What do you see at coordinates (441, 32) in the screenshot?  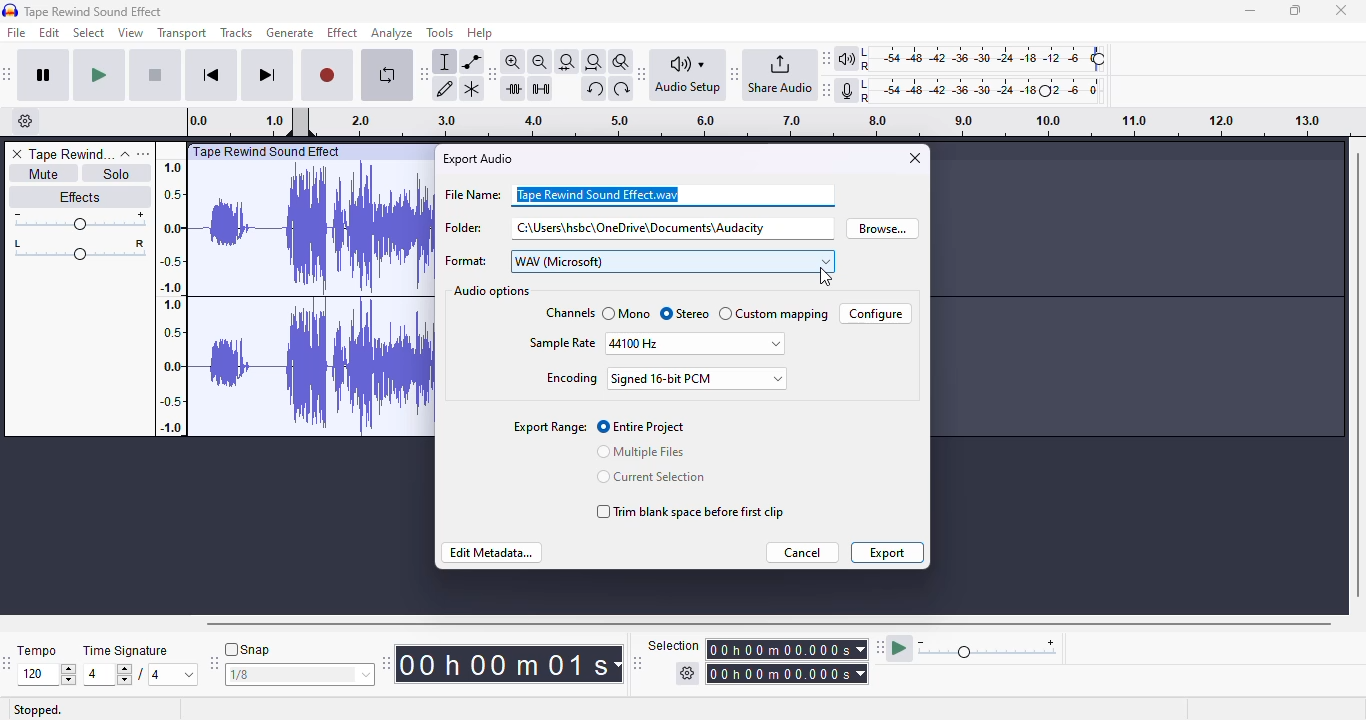 I see `tools` at bounding box center [441, 32].